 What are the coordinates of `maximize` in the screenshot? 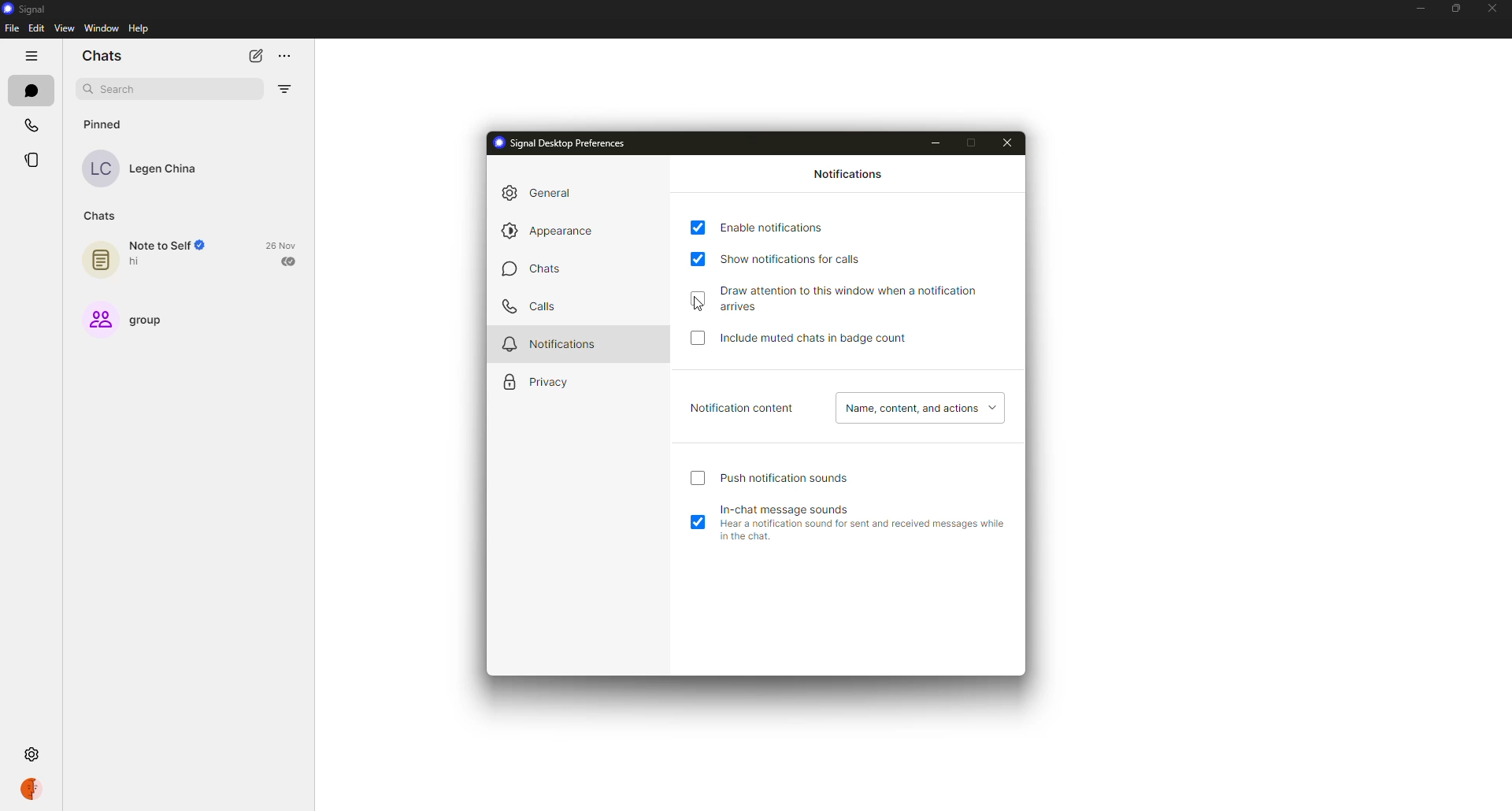 It's located at (974, 142).